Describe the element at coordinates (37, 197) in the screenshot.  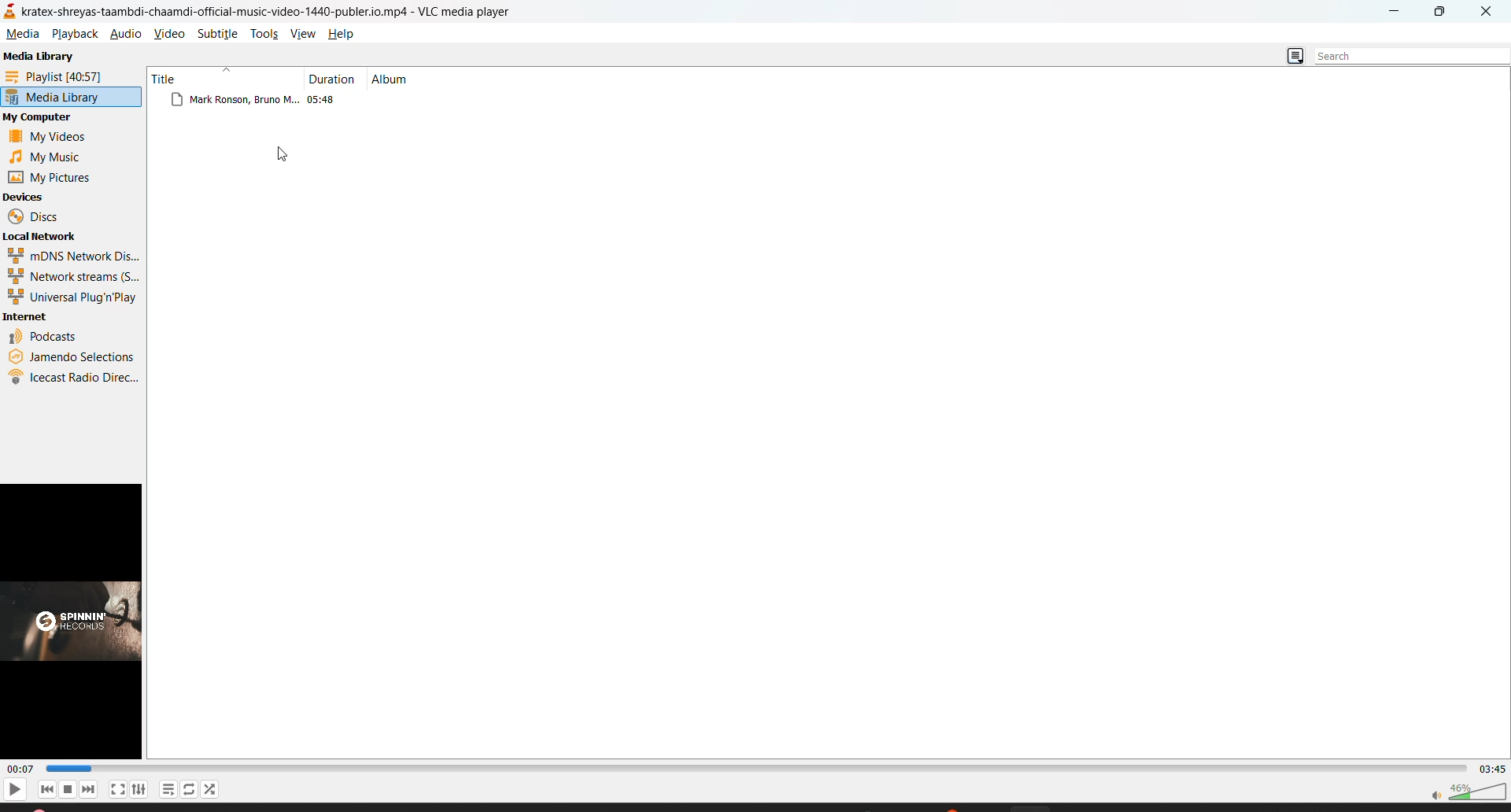
I see `devices` at that location.